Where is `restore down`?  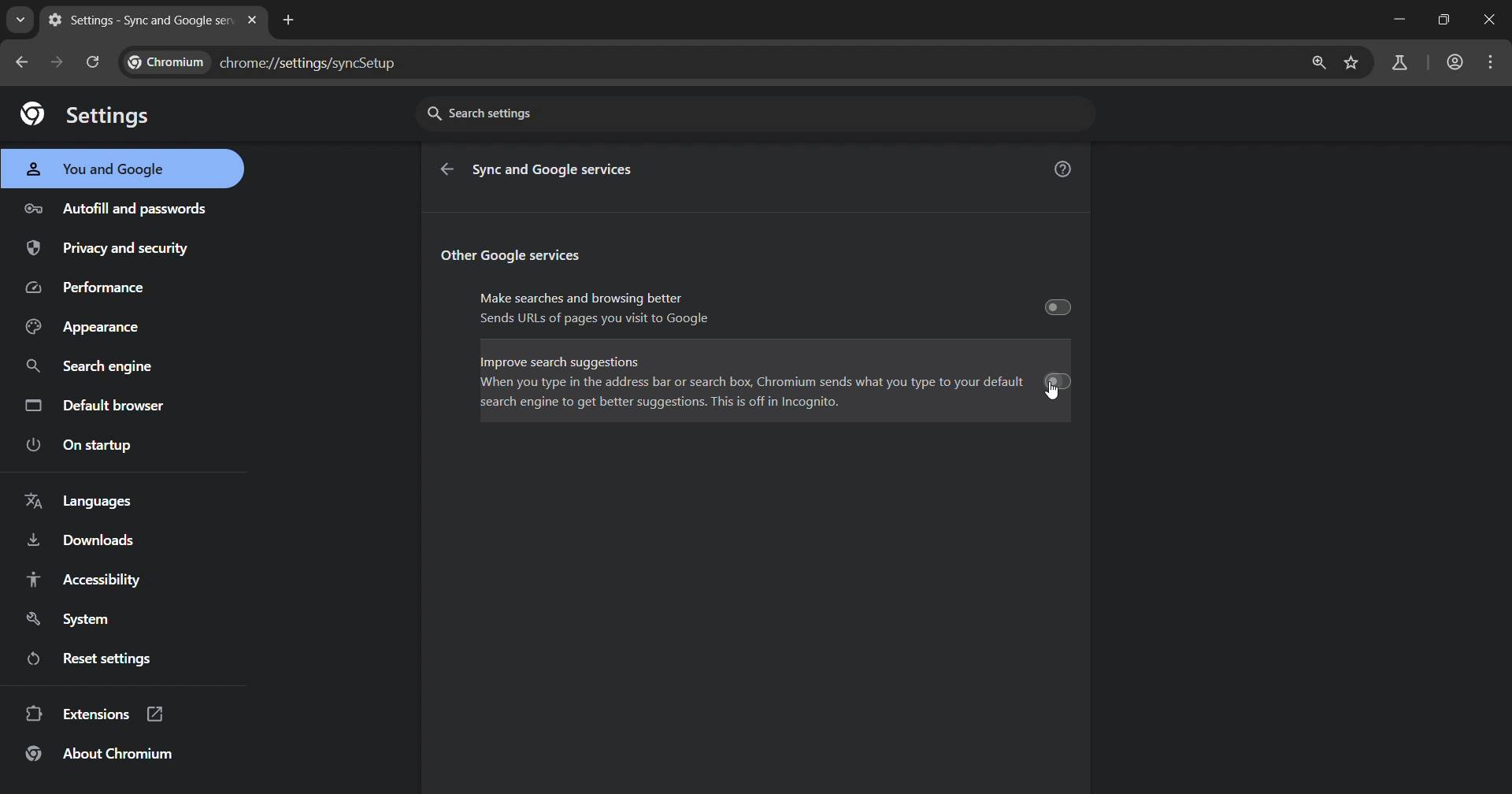
restore down is located at coordinates (1442, 21).